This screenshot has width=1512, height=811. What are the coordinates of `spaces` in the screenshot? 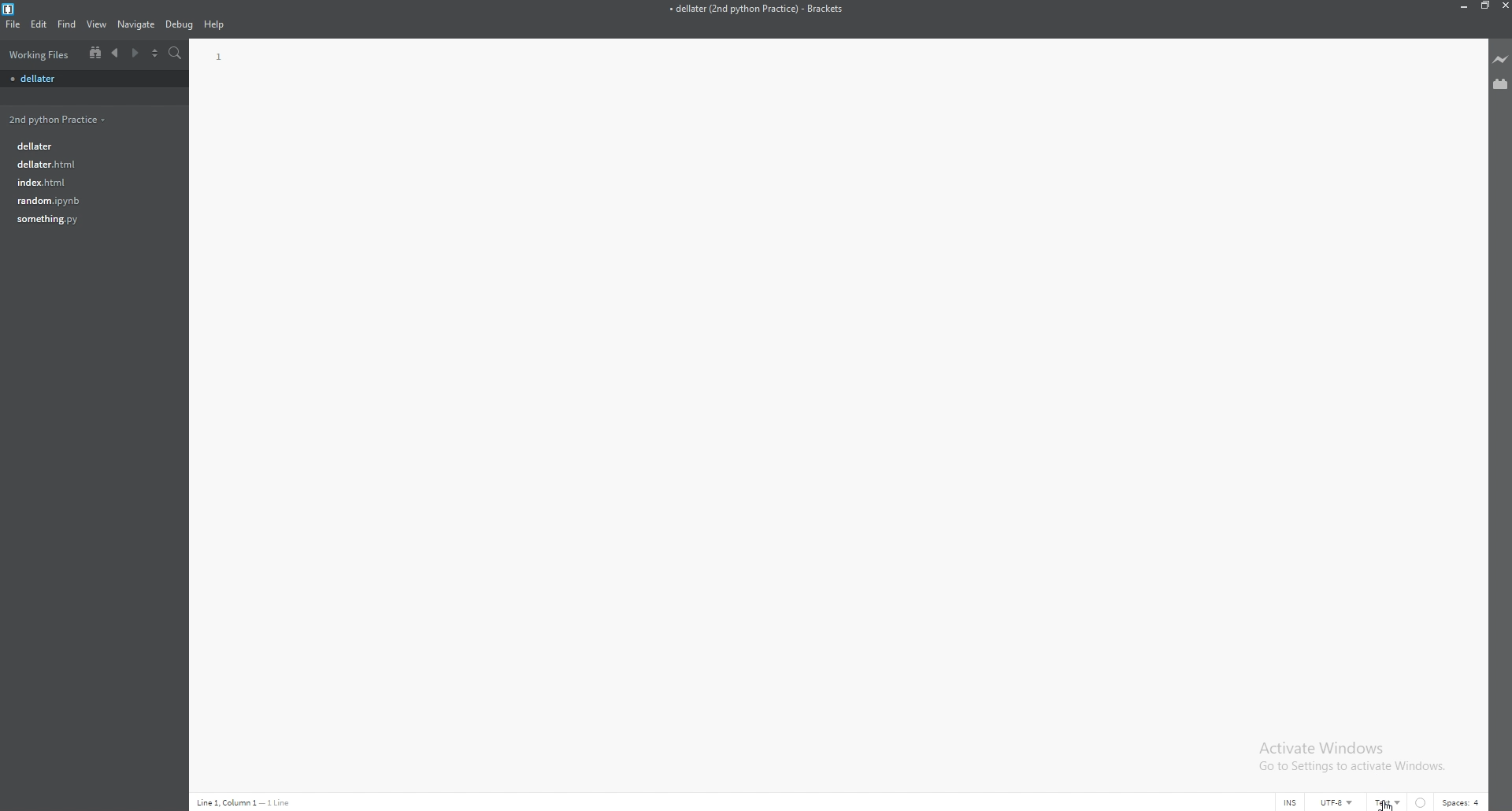 It's located at (1462, 802).